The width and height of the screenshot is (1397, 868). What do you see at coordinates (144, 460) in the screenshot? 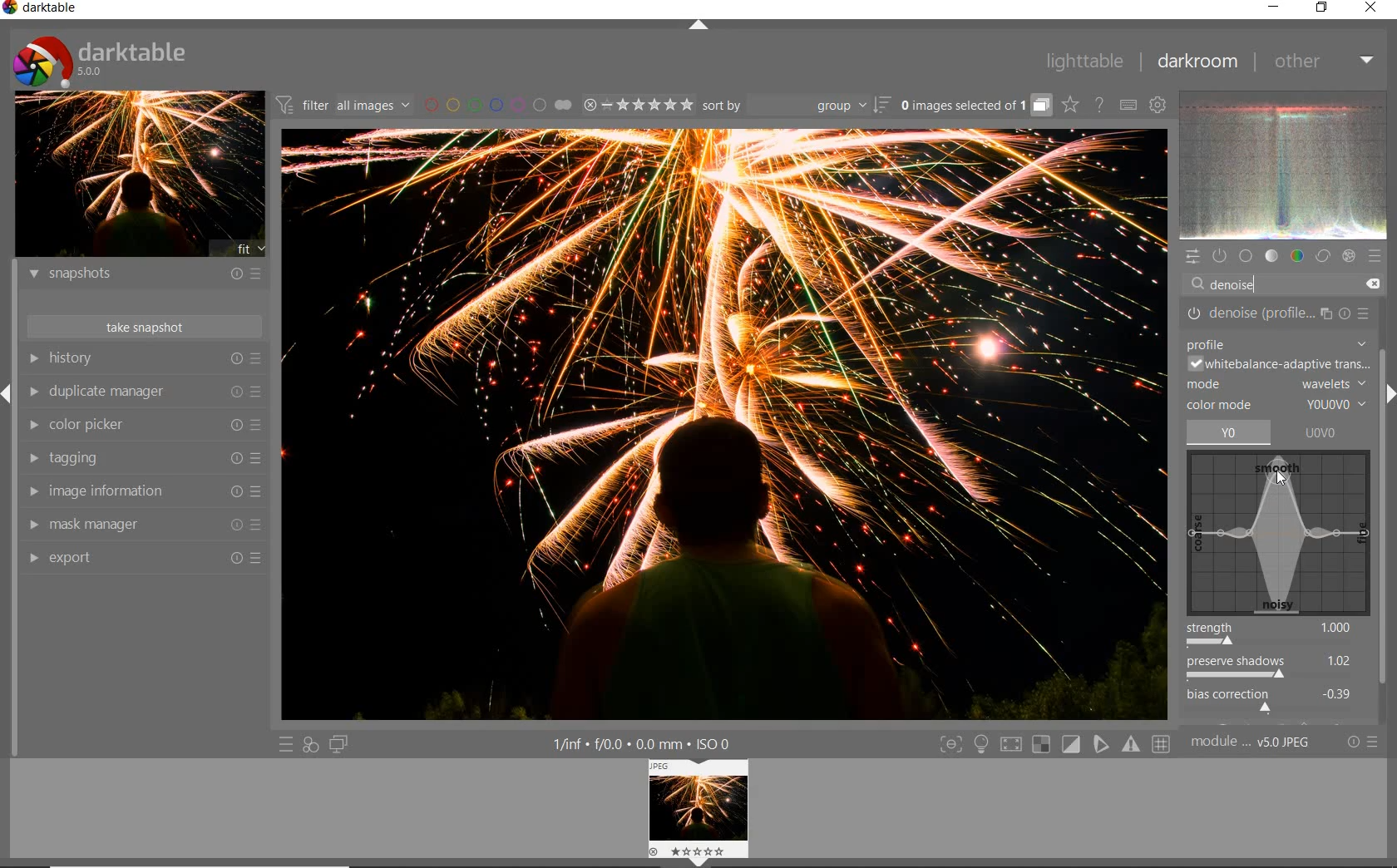
I see `tagging` at bounding box center [144, 460].